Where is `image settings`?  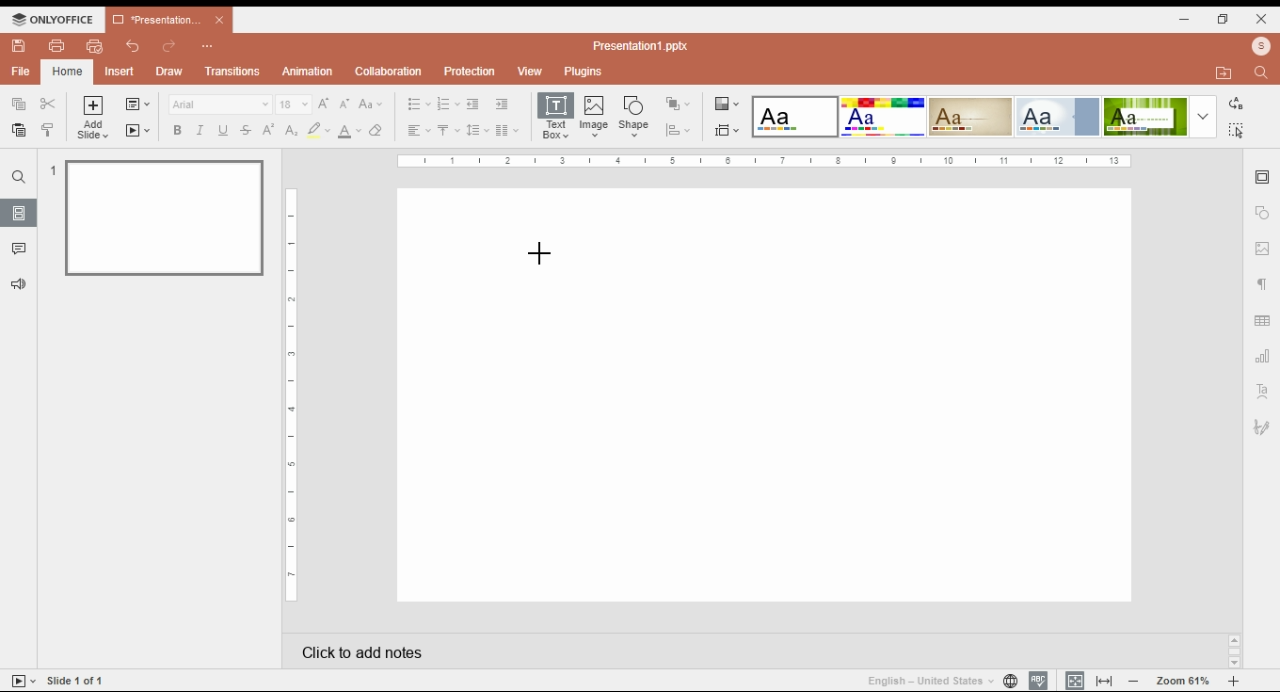
image settings is located at coordinates (1261, 250).